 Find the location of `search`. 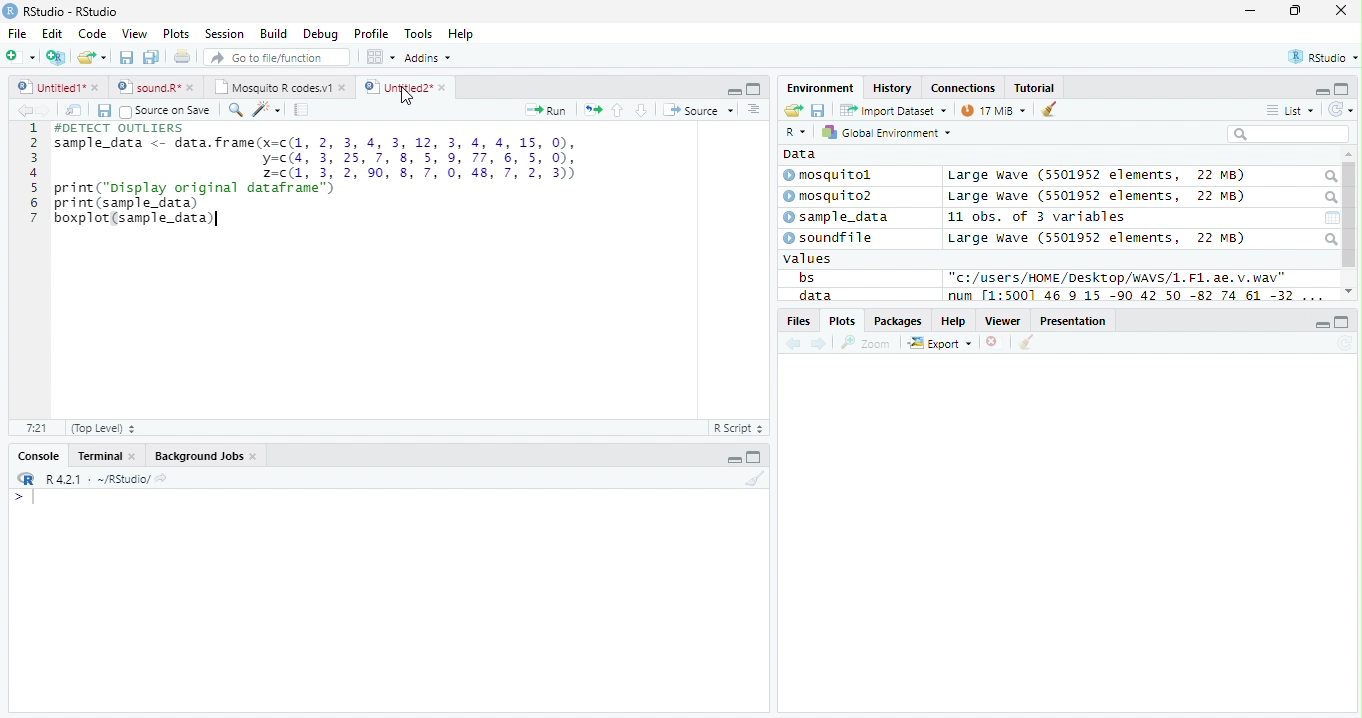

search is located at coordinates (1330, 239).